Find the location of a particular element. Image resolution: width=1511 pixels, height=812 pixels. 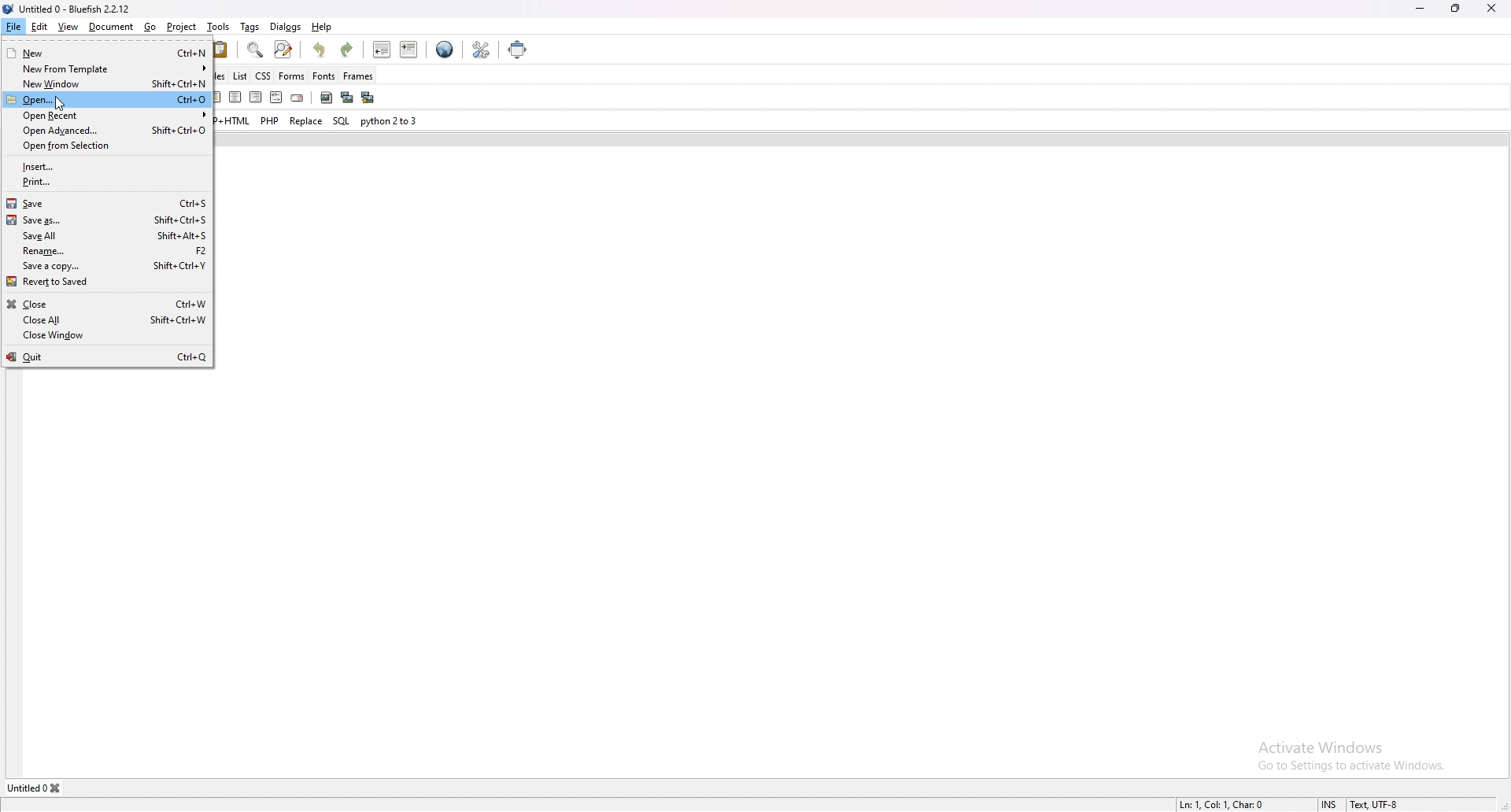

css is located at coordinates (263, 76).